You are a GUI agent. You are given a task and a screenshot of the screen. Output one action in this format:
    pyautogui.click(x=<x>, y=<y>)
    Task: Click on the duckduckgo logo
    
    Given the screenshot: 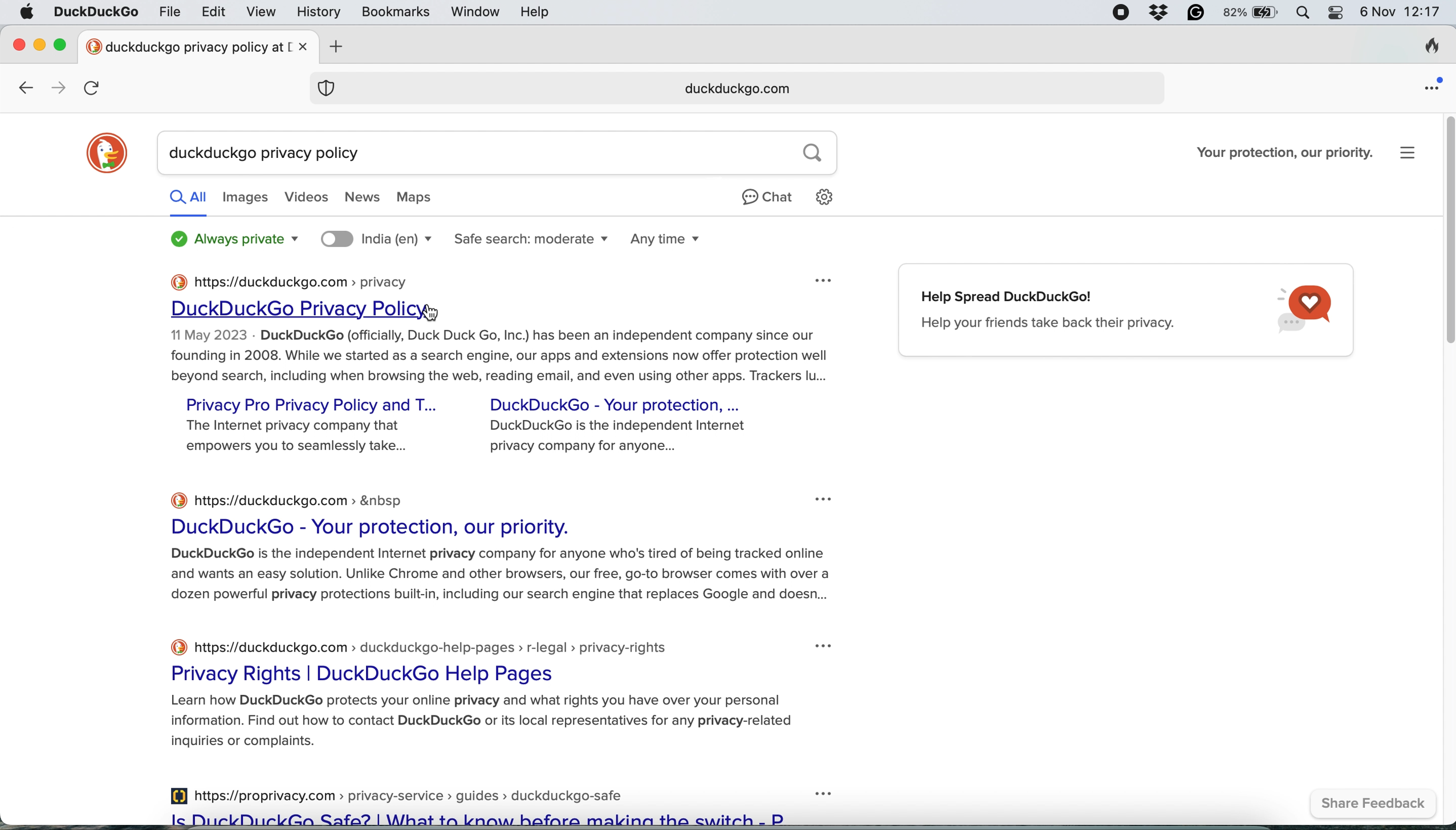 What is the action you would take?
    pyautogui.click(x=108, y=151)
    